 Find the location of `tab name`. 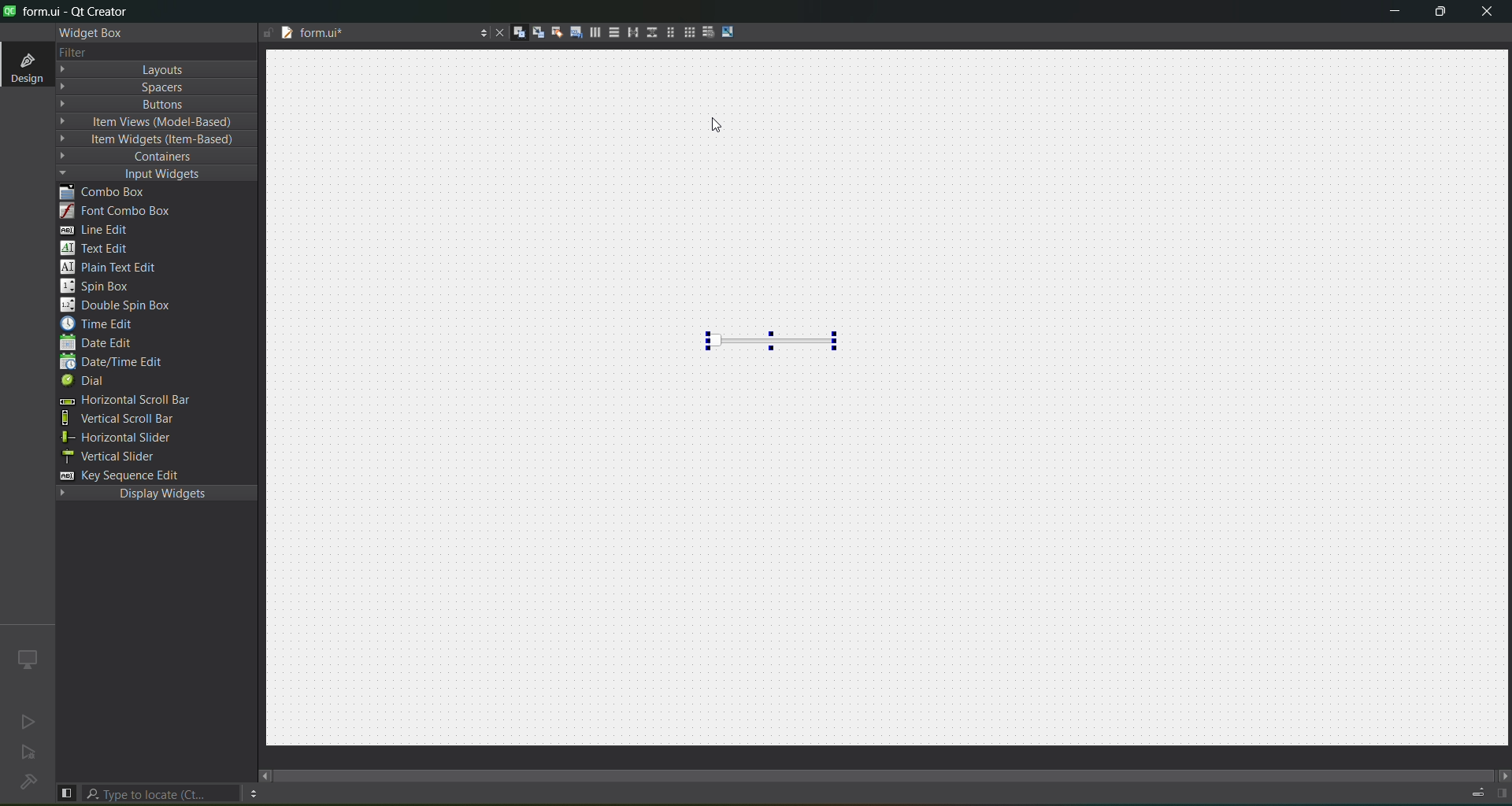

tab name is located at coordinates (339, 34).